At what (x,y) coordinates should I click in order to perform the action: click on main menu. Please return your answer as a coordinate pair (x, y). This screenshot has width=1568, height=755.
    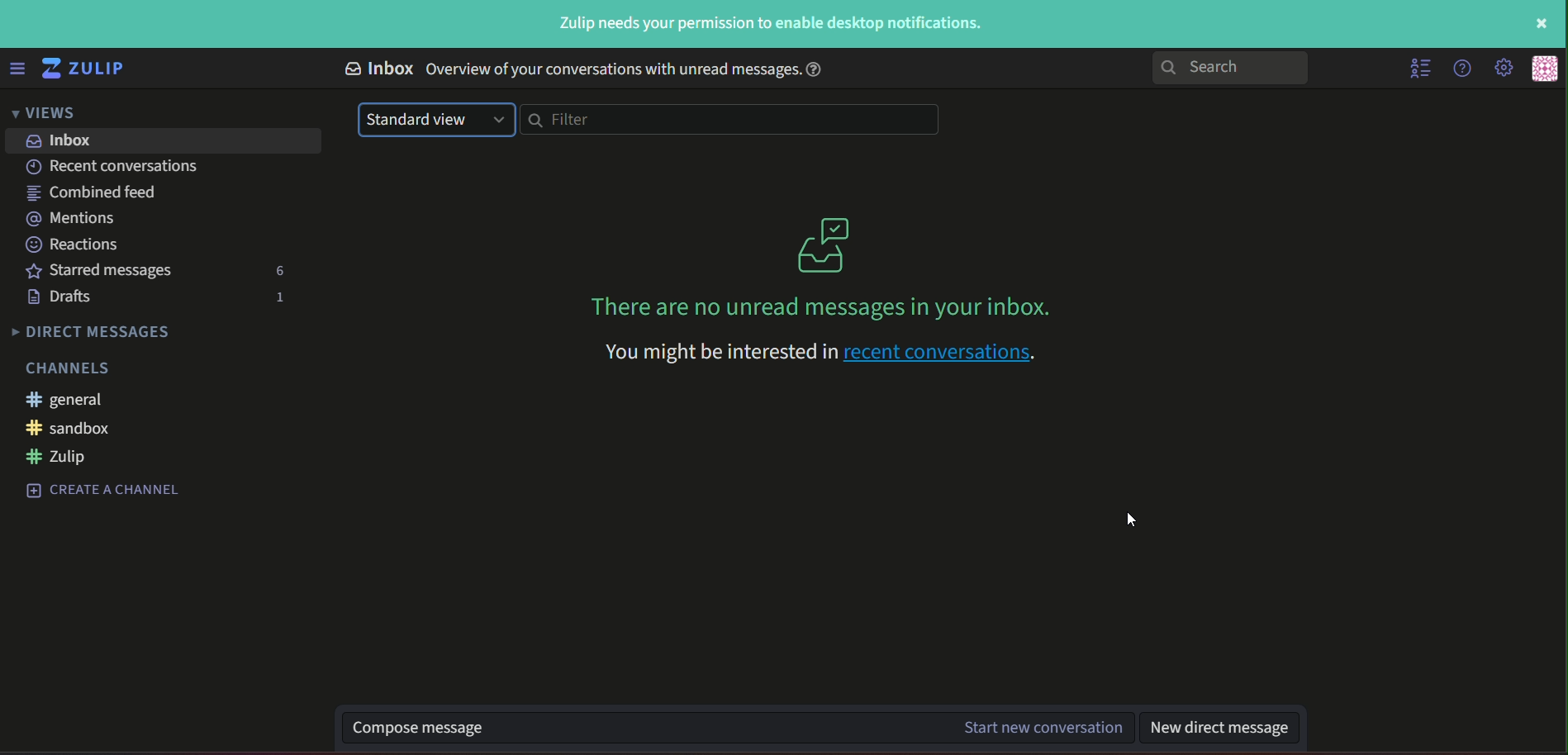
    Looking at the image, I should click on (1504, 67).